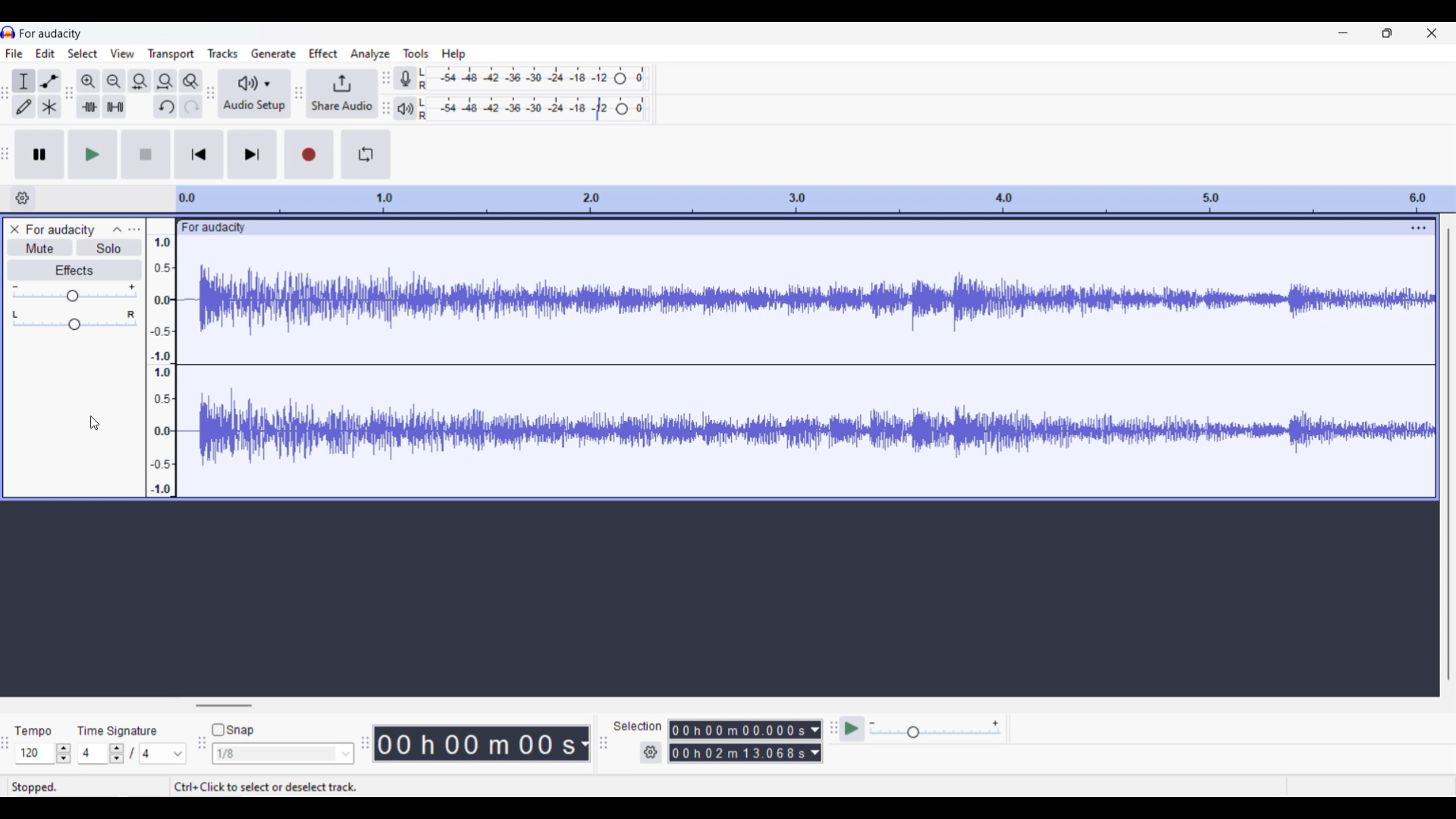 This screenshot has height=819, width=1456. Describe the element at coordinates (852, 729) in the screenshot. I see `Play at speed/Play at speed once` at that location.